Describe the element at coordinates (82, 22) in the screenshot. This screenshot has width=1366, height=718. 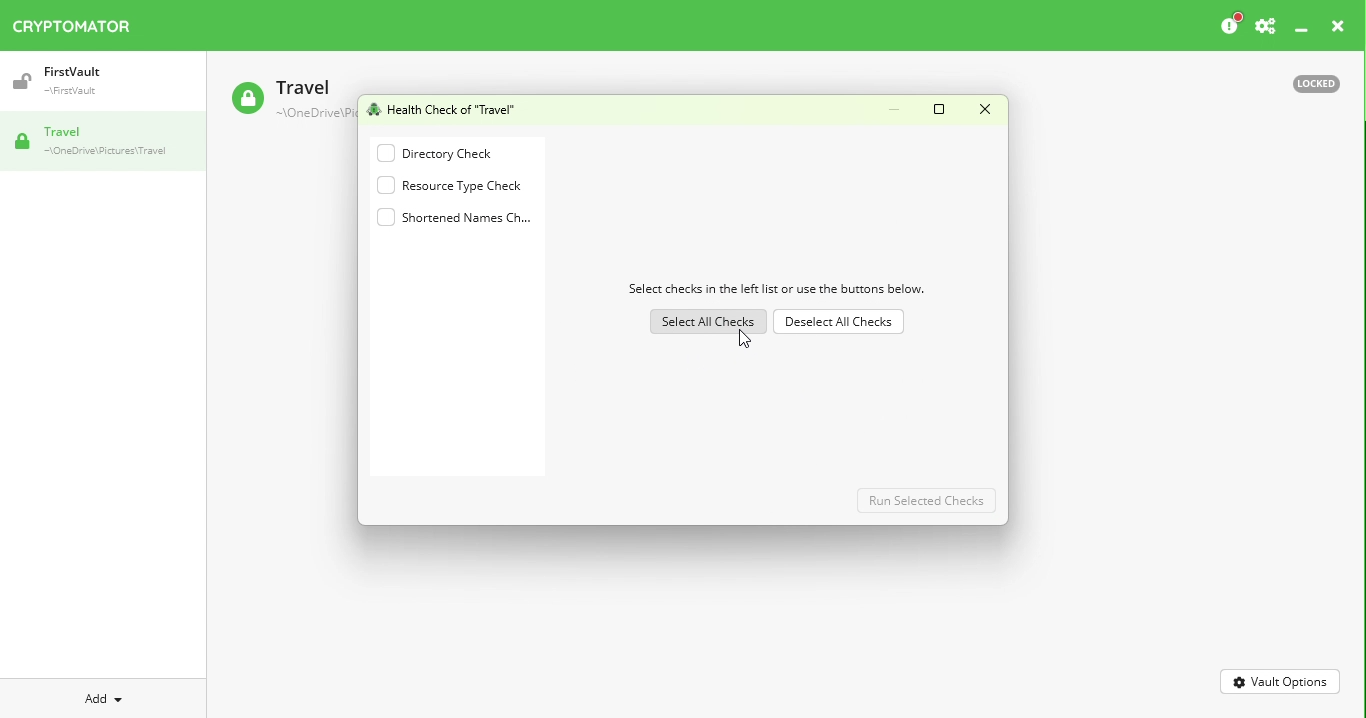
I see `Cryptomator icon` at that location.